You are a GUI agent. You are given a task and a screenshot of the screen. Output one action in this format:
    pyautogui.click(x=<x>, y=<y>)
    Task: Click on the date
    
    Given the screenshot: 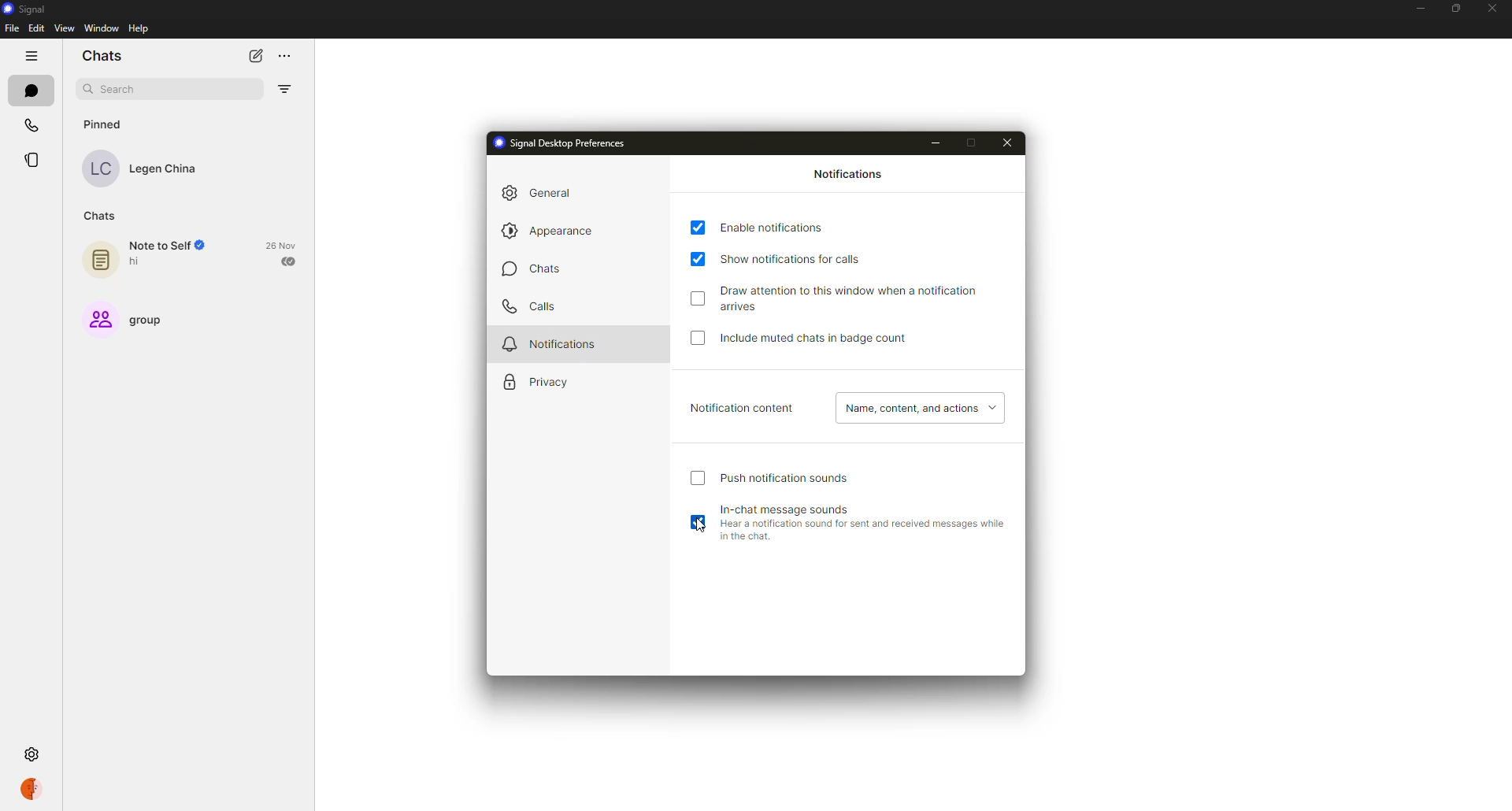 What is the action you would take?
    pyautogui.click(x=281, y=244)
    